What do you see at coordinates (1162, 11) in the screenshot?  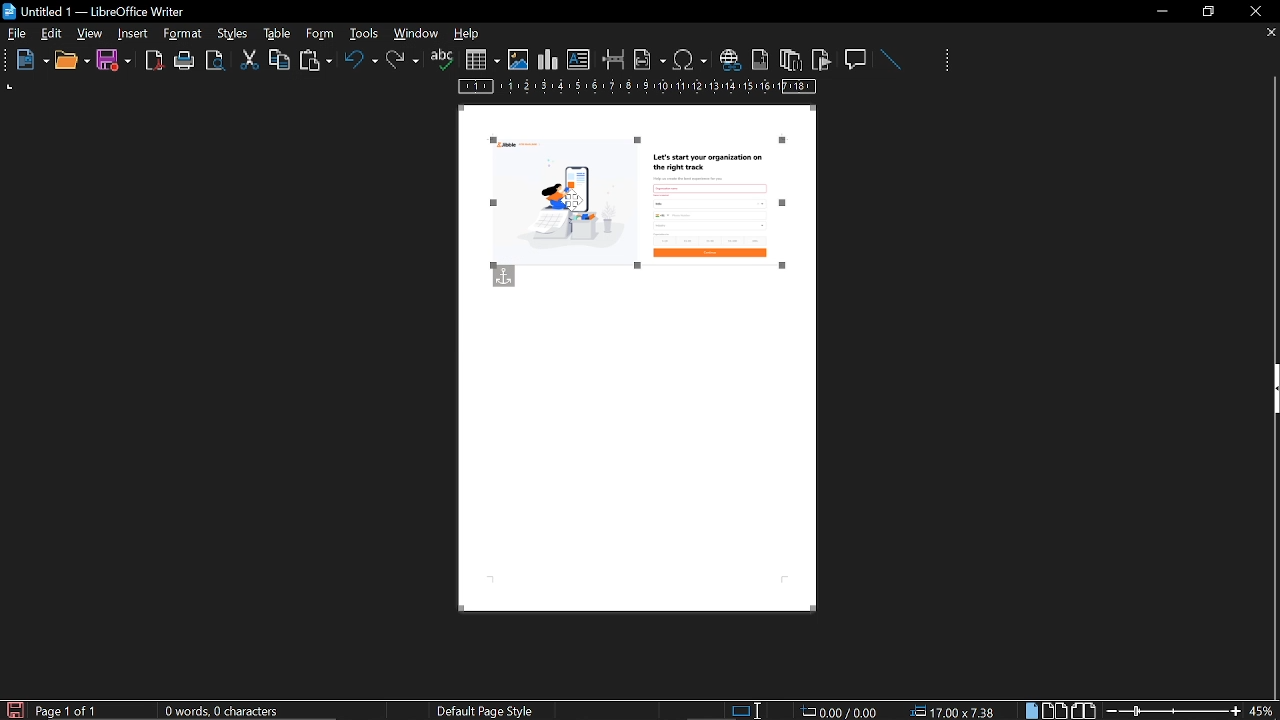 I see `minimize` at bounding box center [1162, 11].